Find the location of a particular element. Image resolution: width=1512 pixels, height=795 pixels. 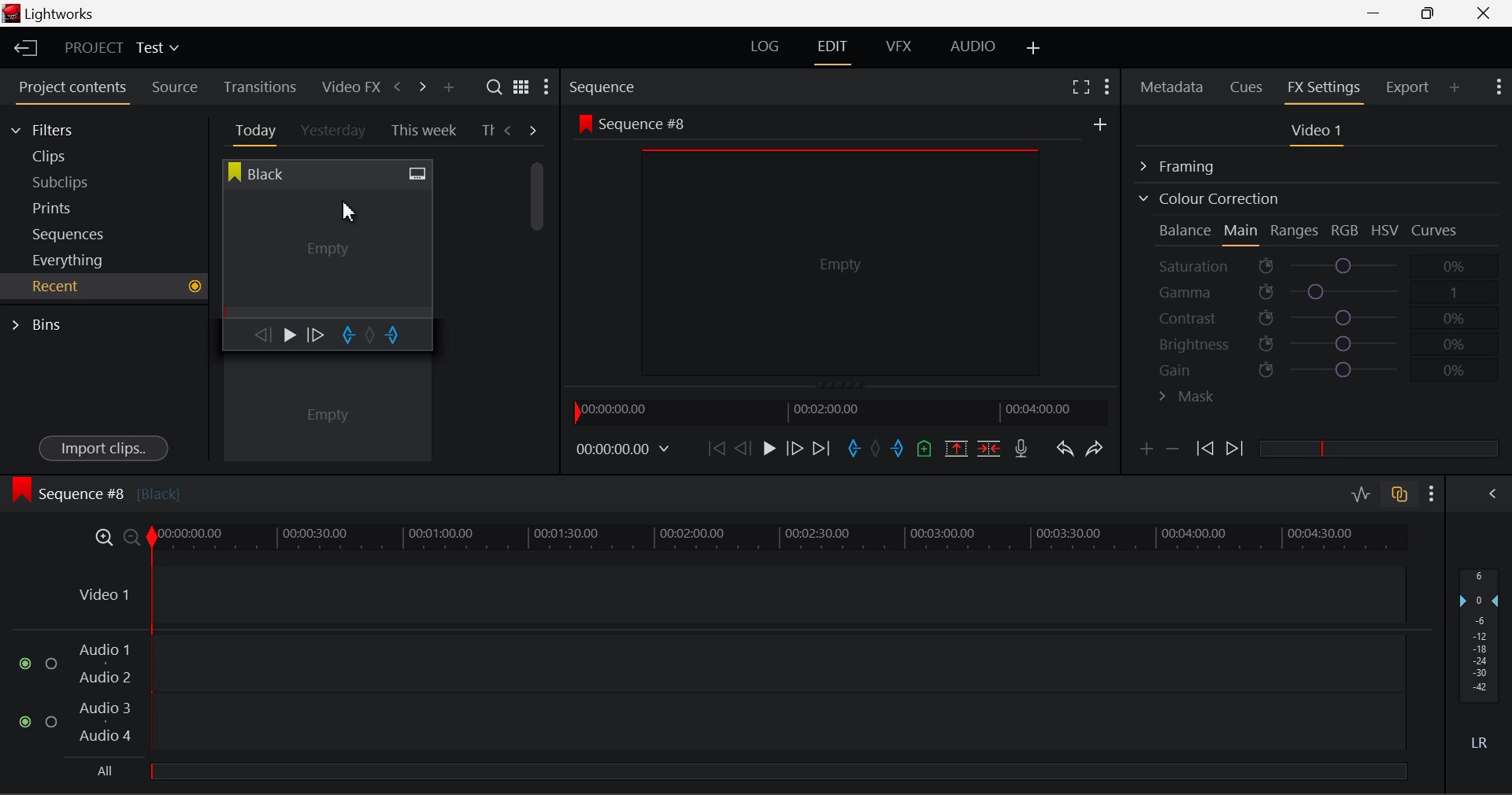

Minimize is located at coordinates (1432, 13).